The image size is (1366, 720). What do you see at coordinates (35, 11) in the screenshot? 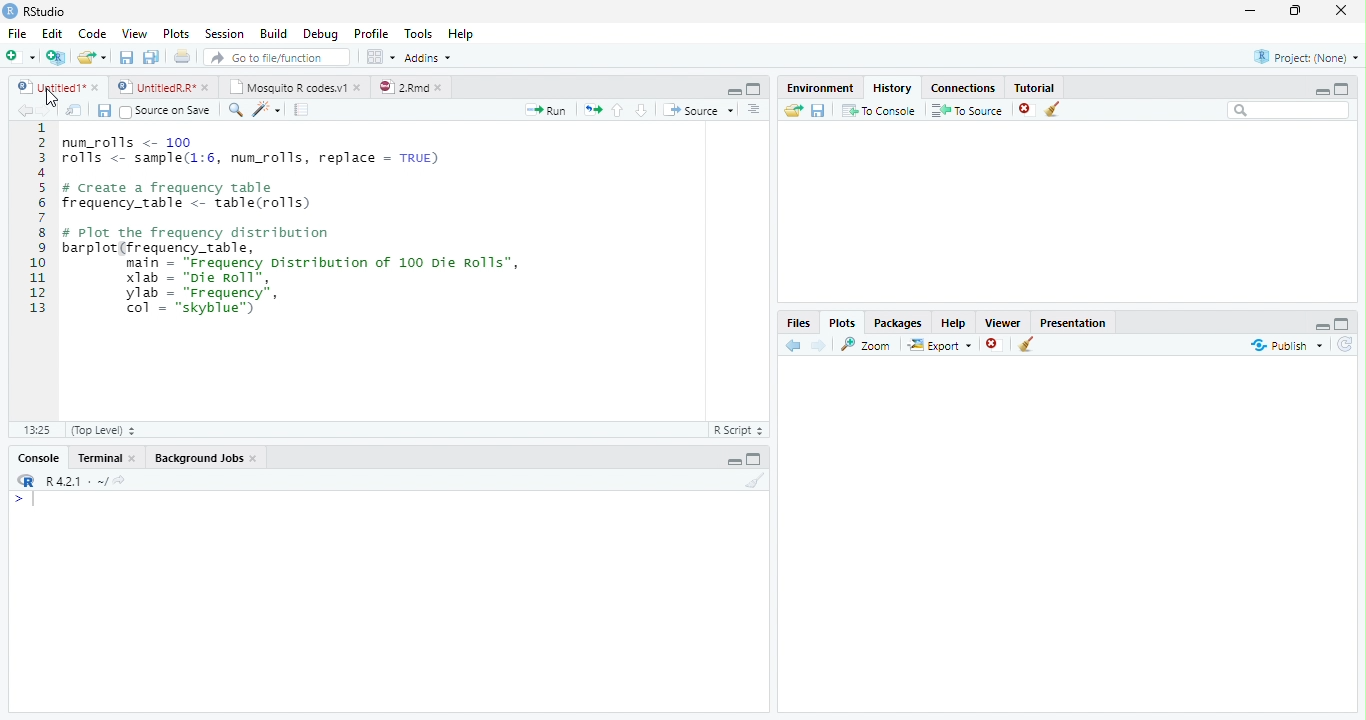
I see `RStudio` at bounding box center [35, 11].